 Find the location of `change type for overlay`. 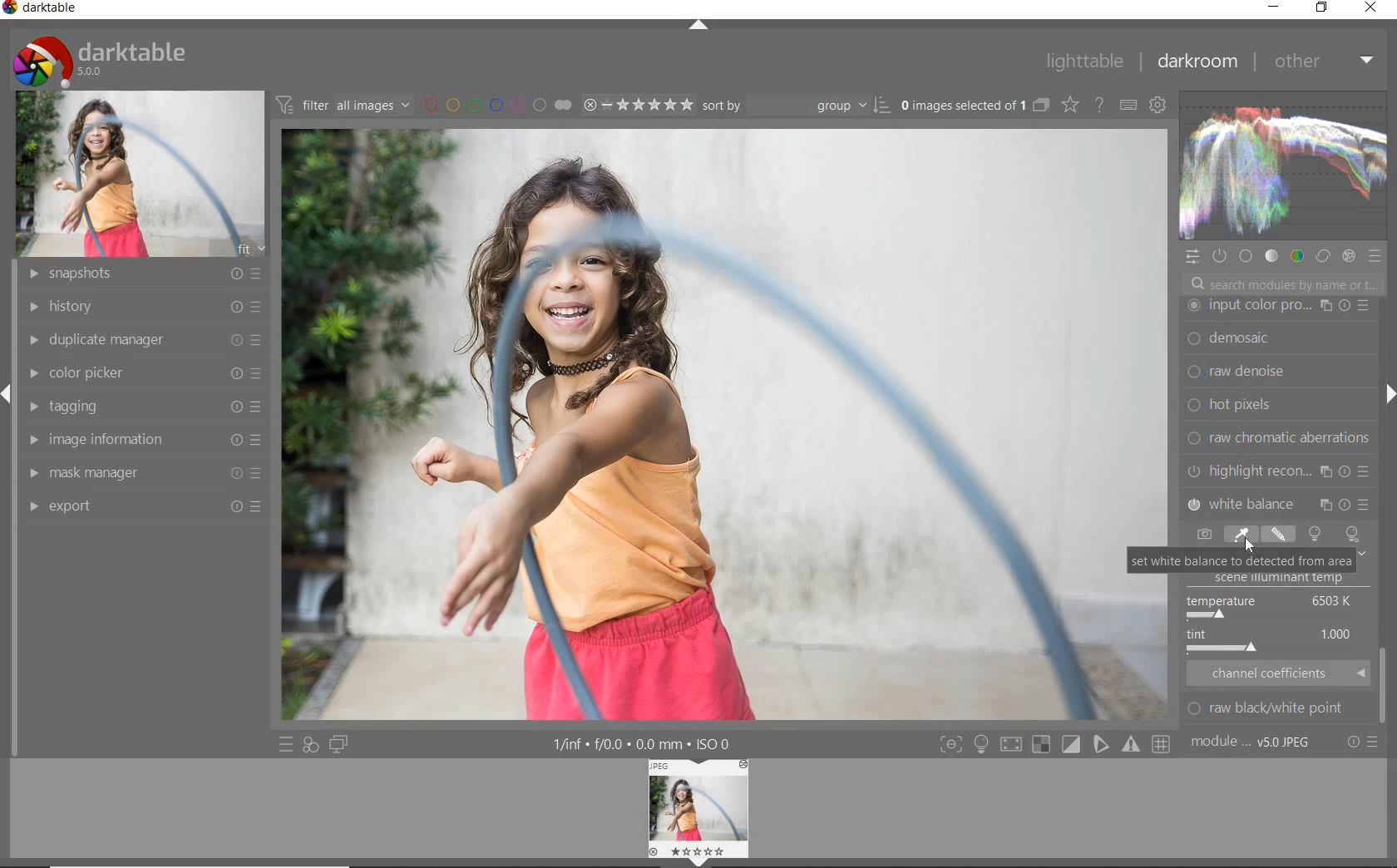

change type for overlay is located at coordinates (1071, 105).